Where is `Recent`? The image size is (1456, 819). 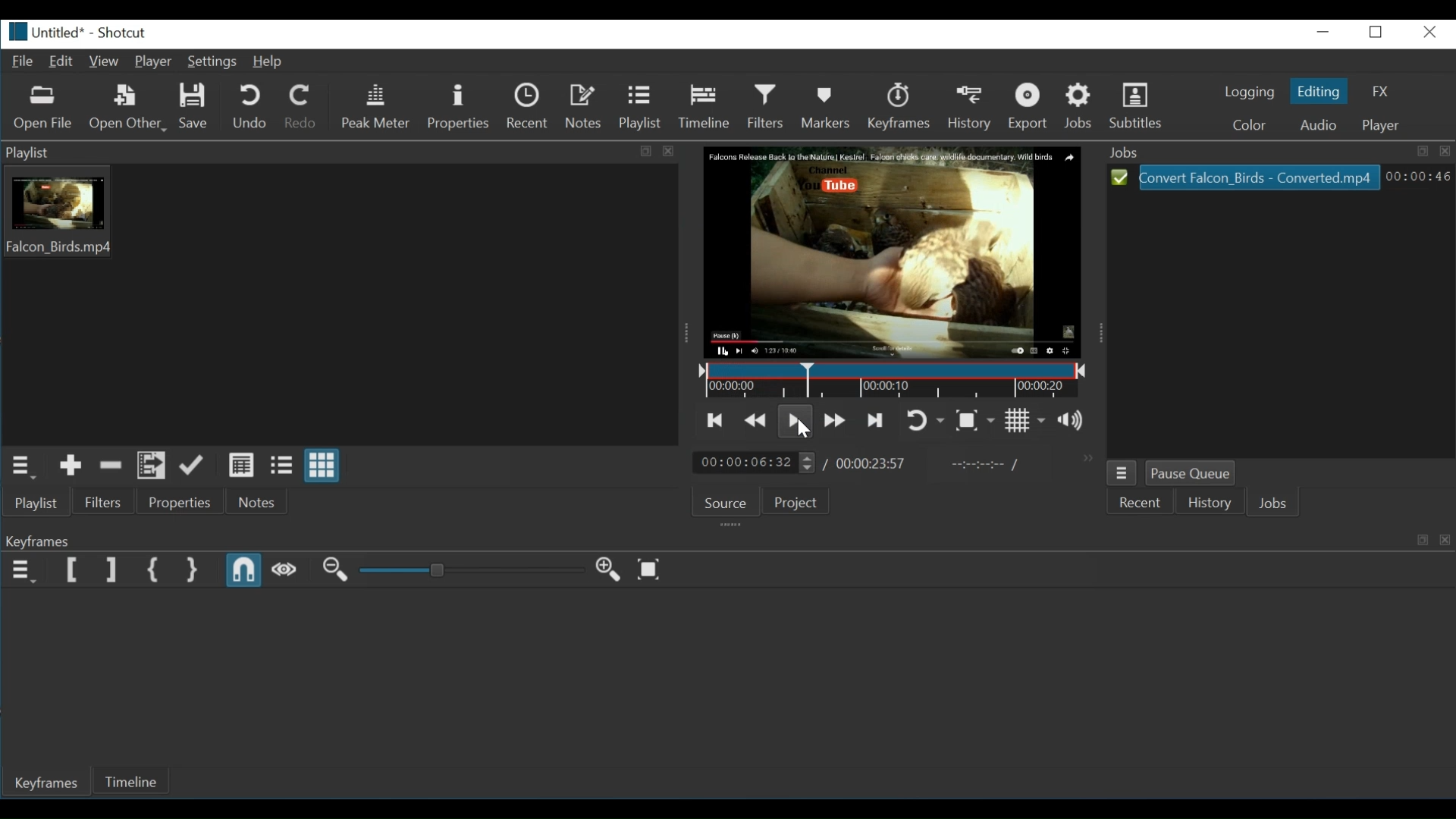 Recent is located at coordinates (1141, 502).